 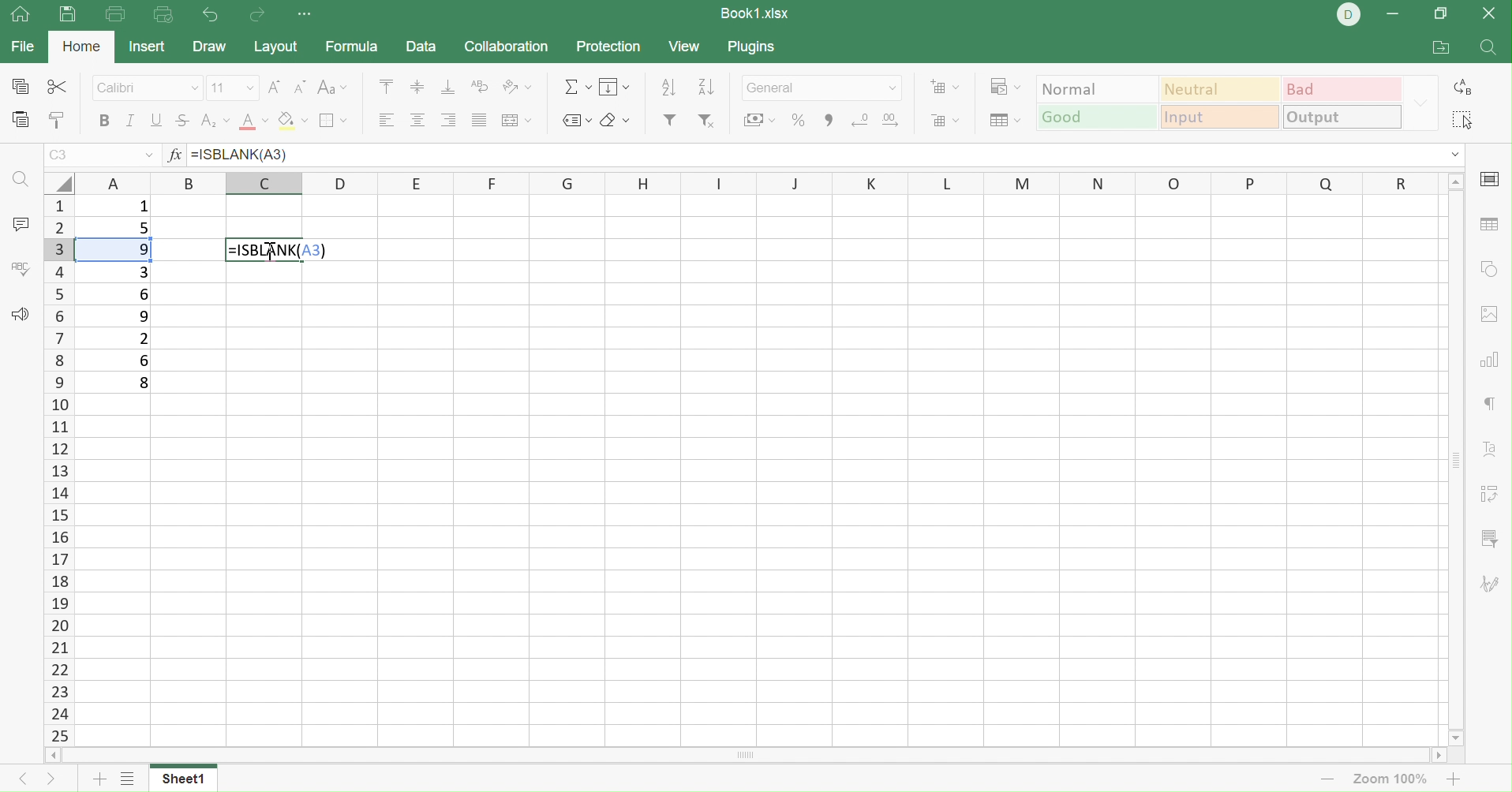 What do you see at coordinates (239, 155) in the screenshot?
I see `=ISBLANK(A3)` at bounding box center [239, 155].